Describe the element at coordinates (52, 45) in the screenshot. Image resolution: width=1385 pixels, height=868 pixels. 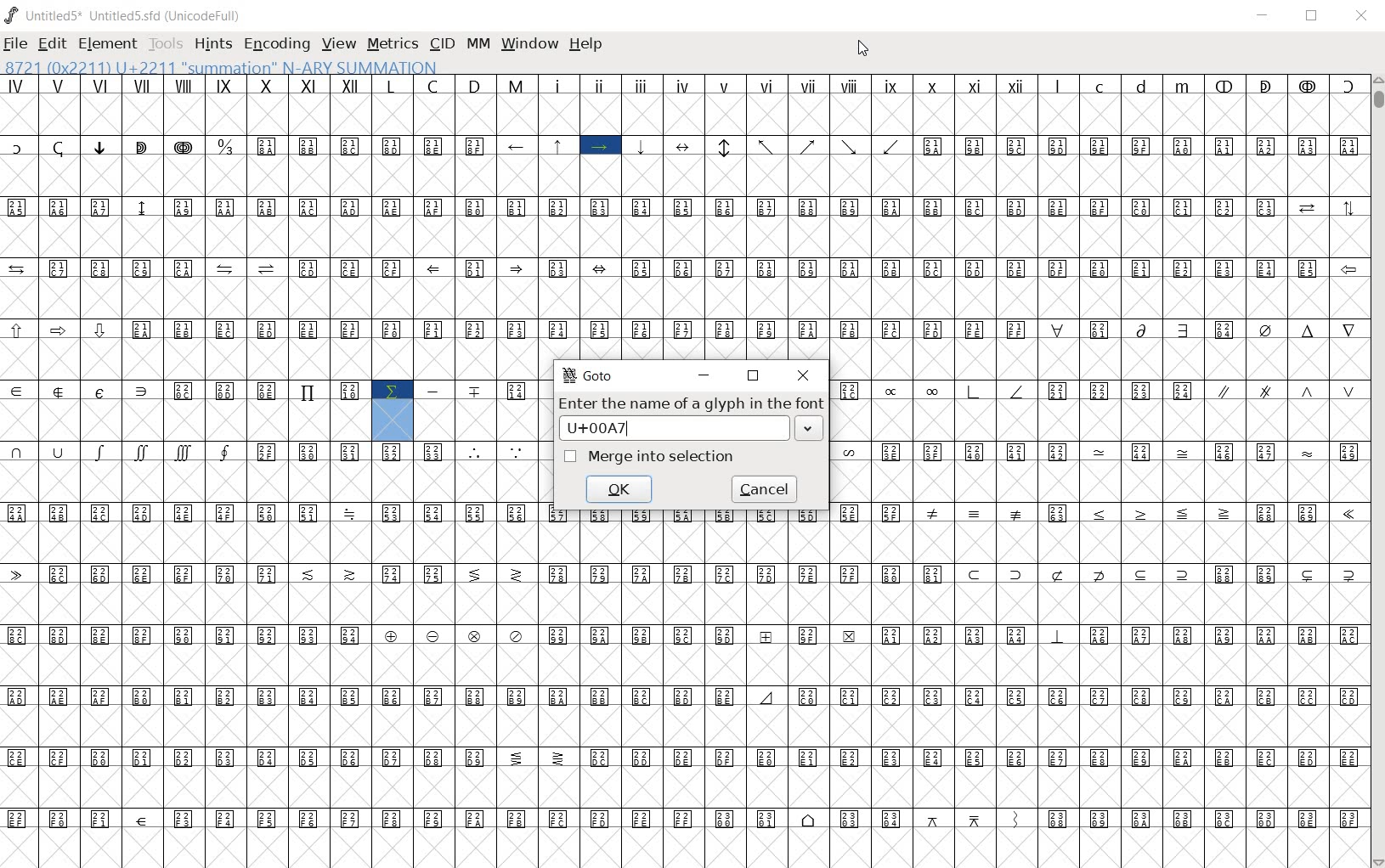
I see `EDIT` at that location.